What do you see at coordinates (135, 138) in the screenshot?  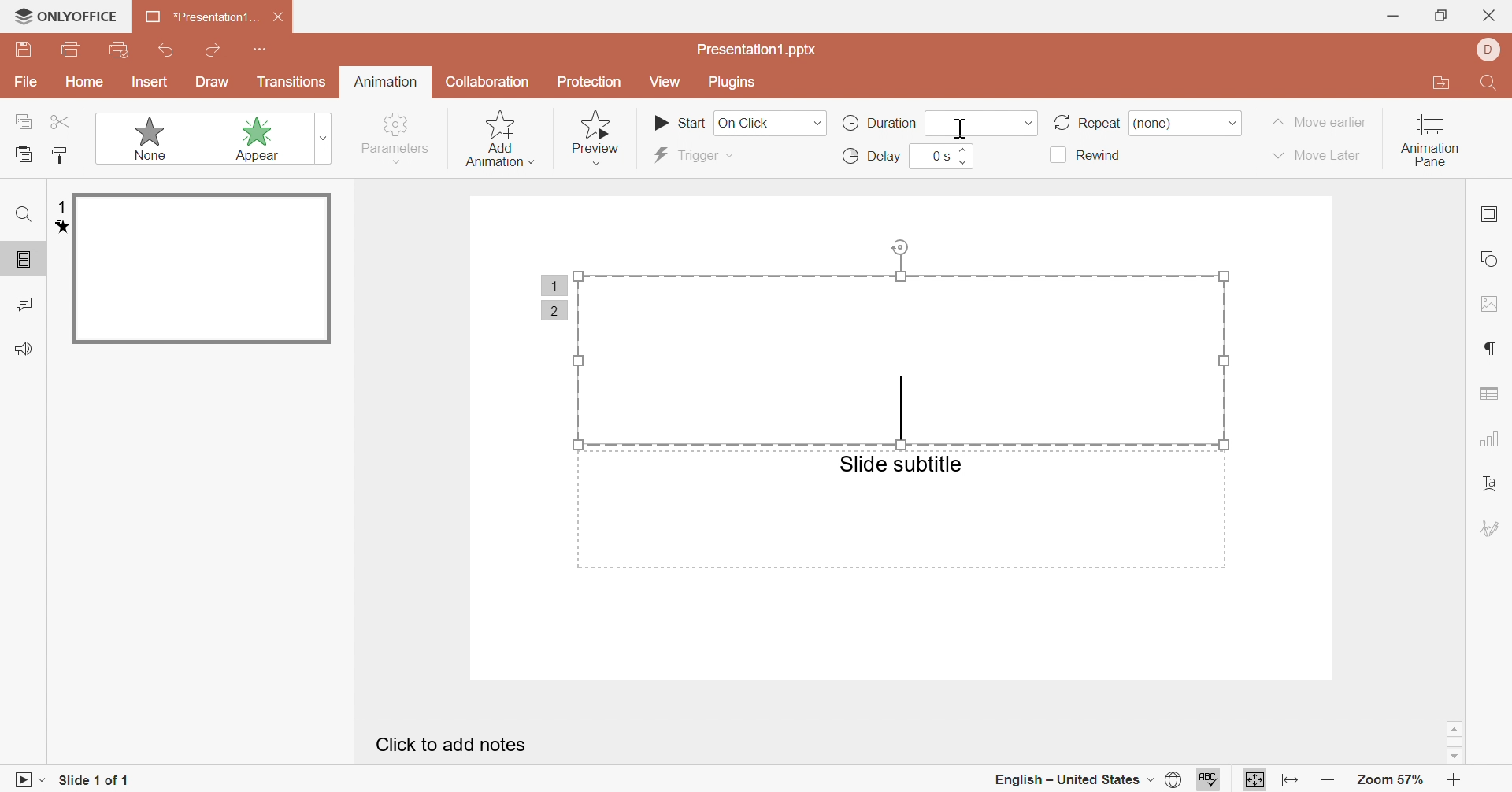 I see `none` at bounding box center [135, 138].